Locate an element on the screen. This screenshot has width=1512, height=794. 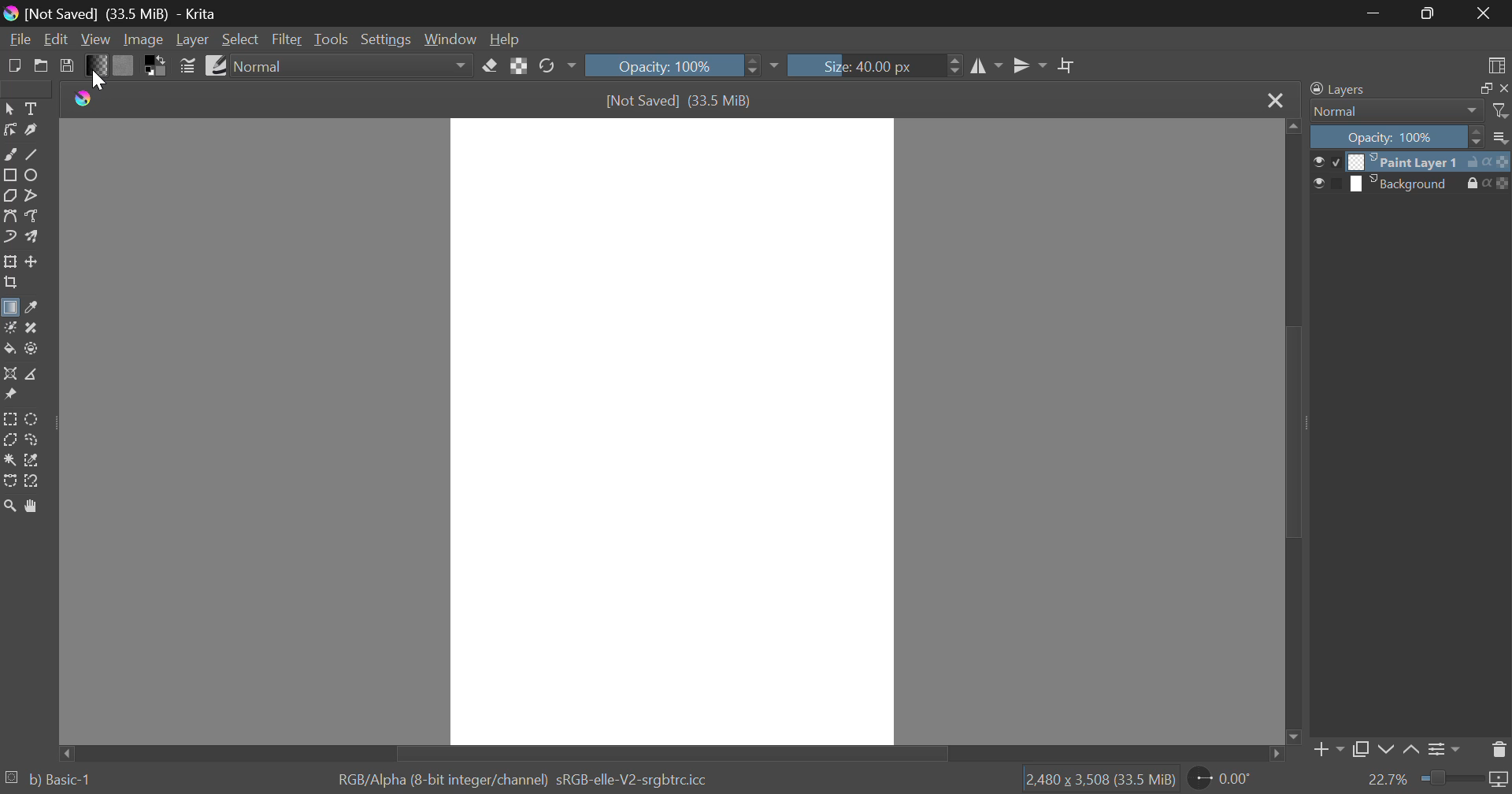
Assistant Tool is located at coordinates (10, 375).